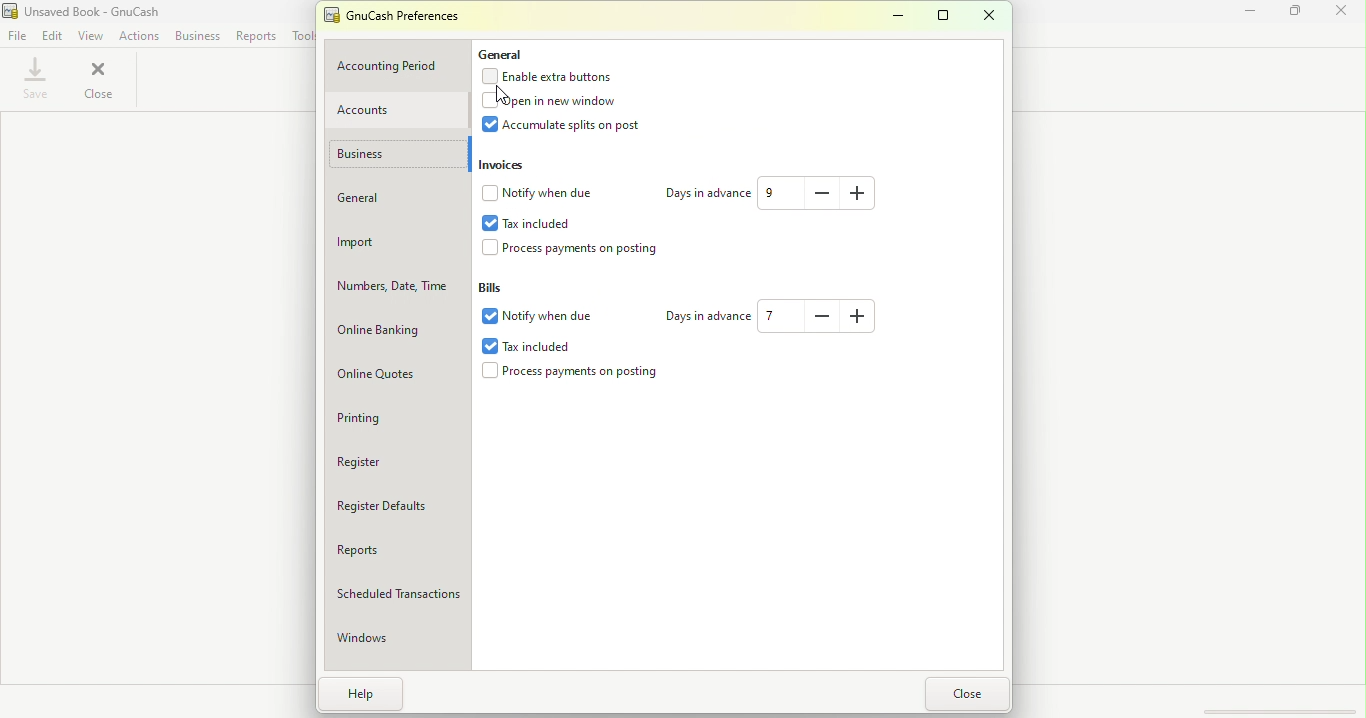 The height and width of the screenshot is (718, 1366). I want to click on Decrease, so click(813, 194).